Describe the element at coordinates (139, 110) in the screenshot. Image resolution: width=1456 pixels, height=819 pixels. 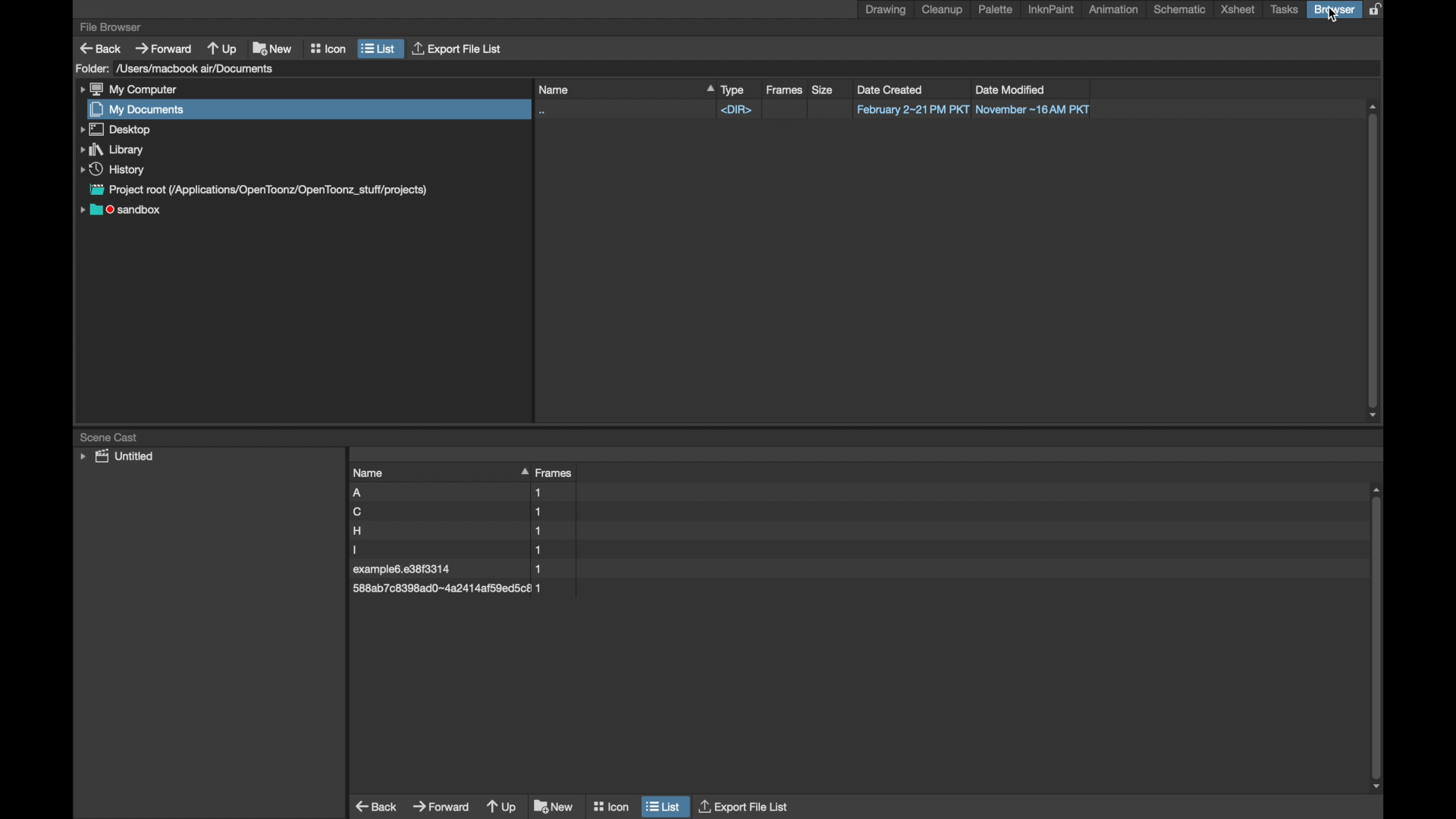
I see `my documents` at that location.